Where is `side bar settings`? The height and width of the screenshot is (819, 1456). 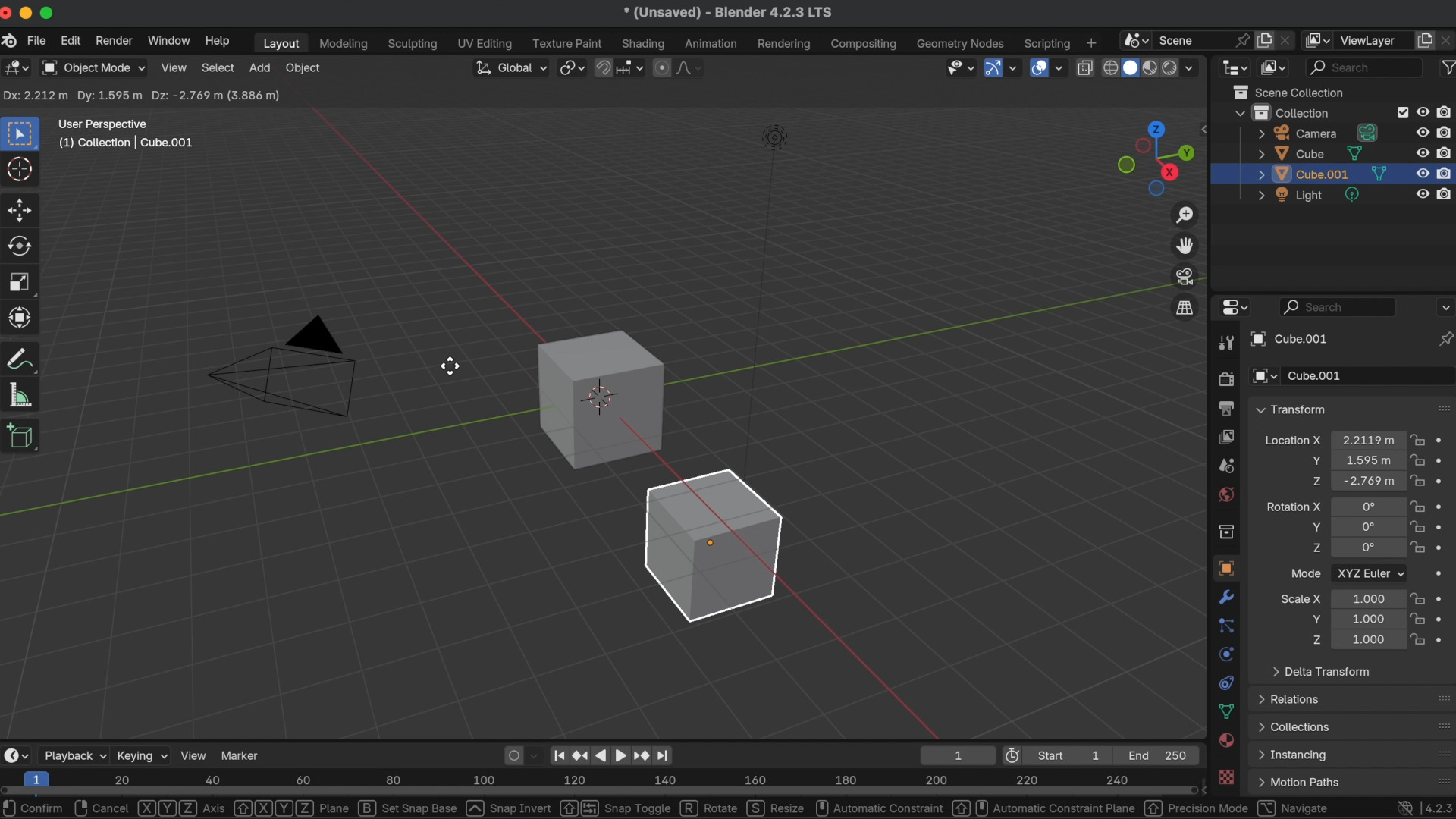 side bar settings is located at coordinates (1207, 127).